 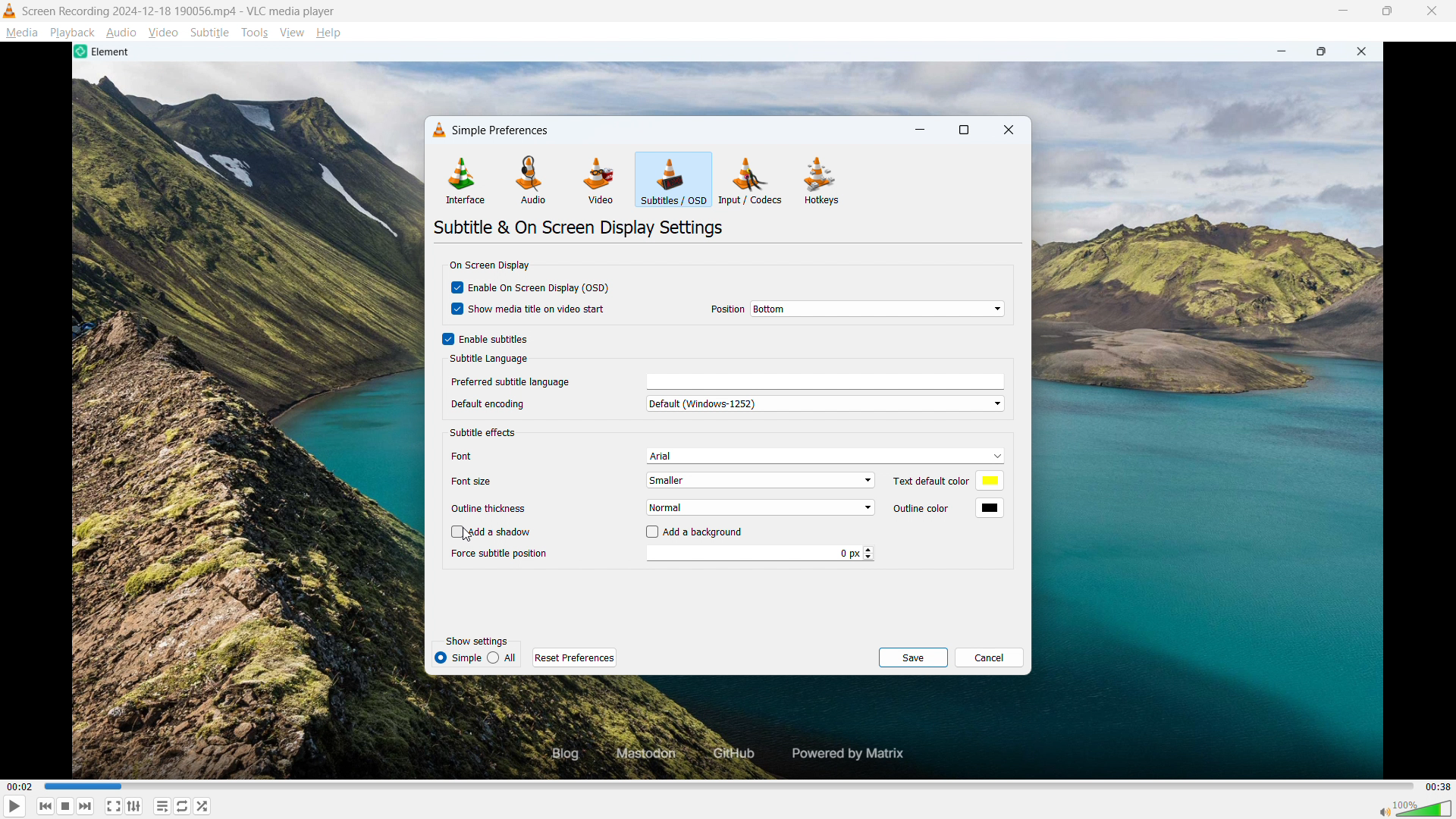 I want to click on Subtitles are OSD , so click(x=674, y=179).